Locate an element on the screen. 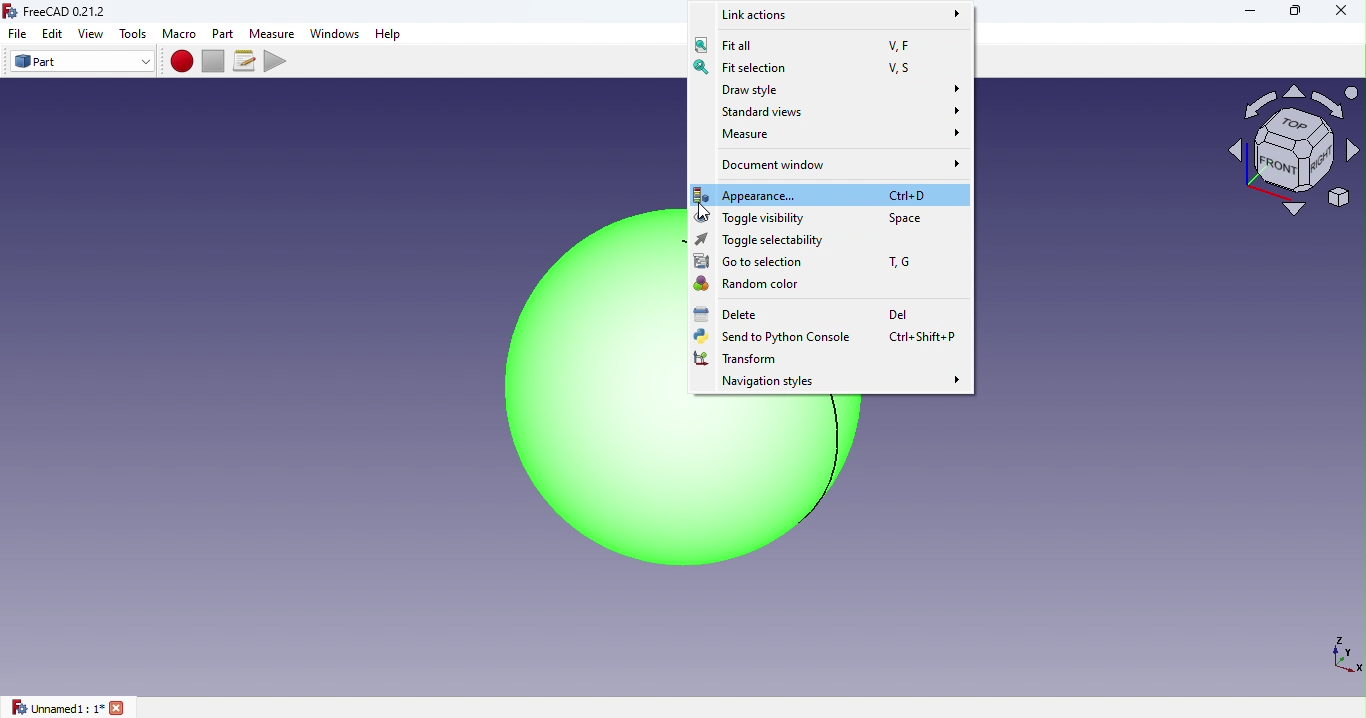  Toggle selectability is located at coordinates (802, 241).